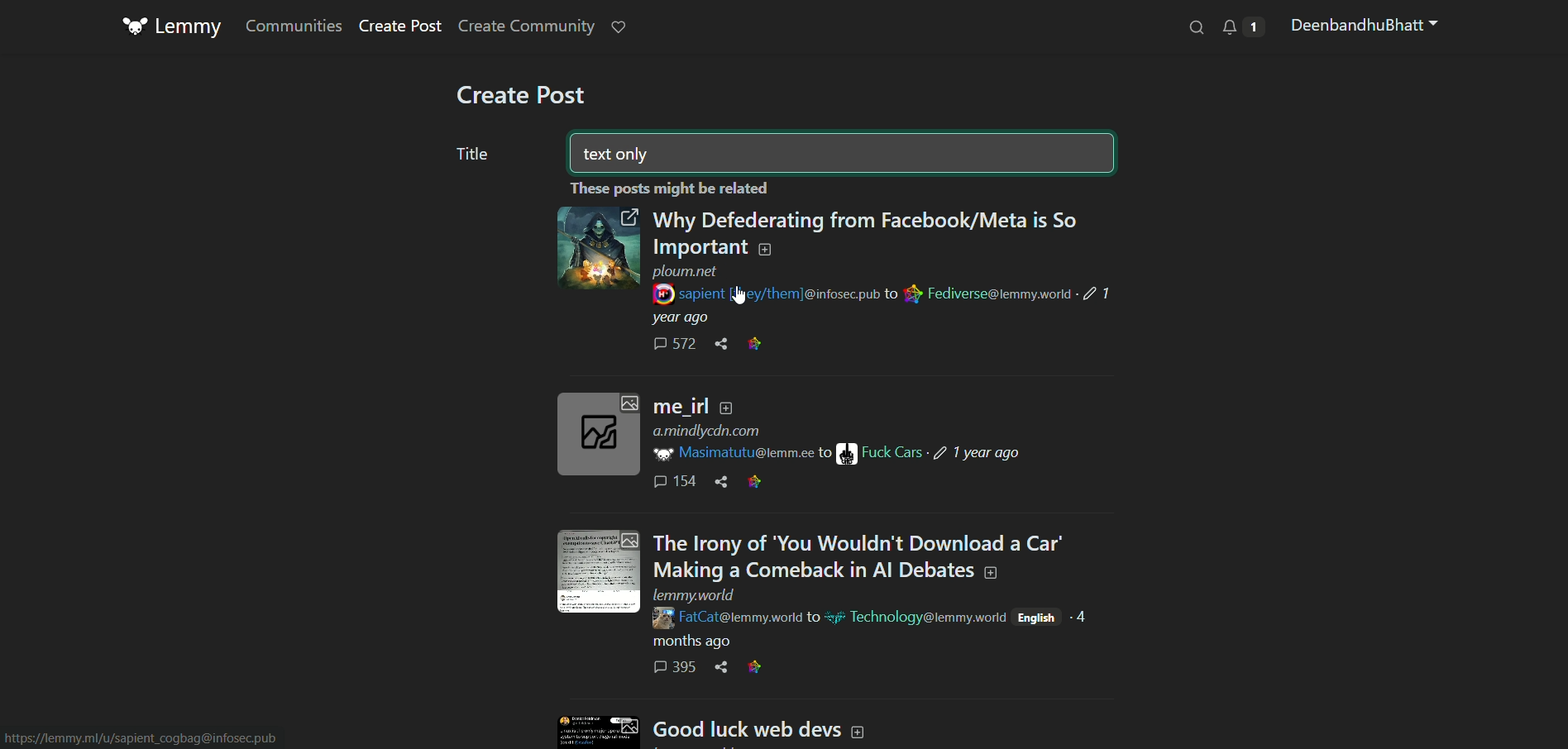 This screenshot has width=1568, height=749. Describe the element at coordinates (676, 482) in the screenshot. I see `Comments` at that location.